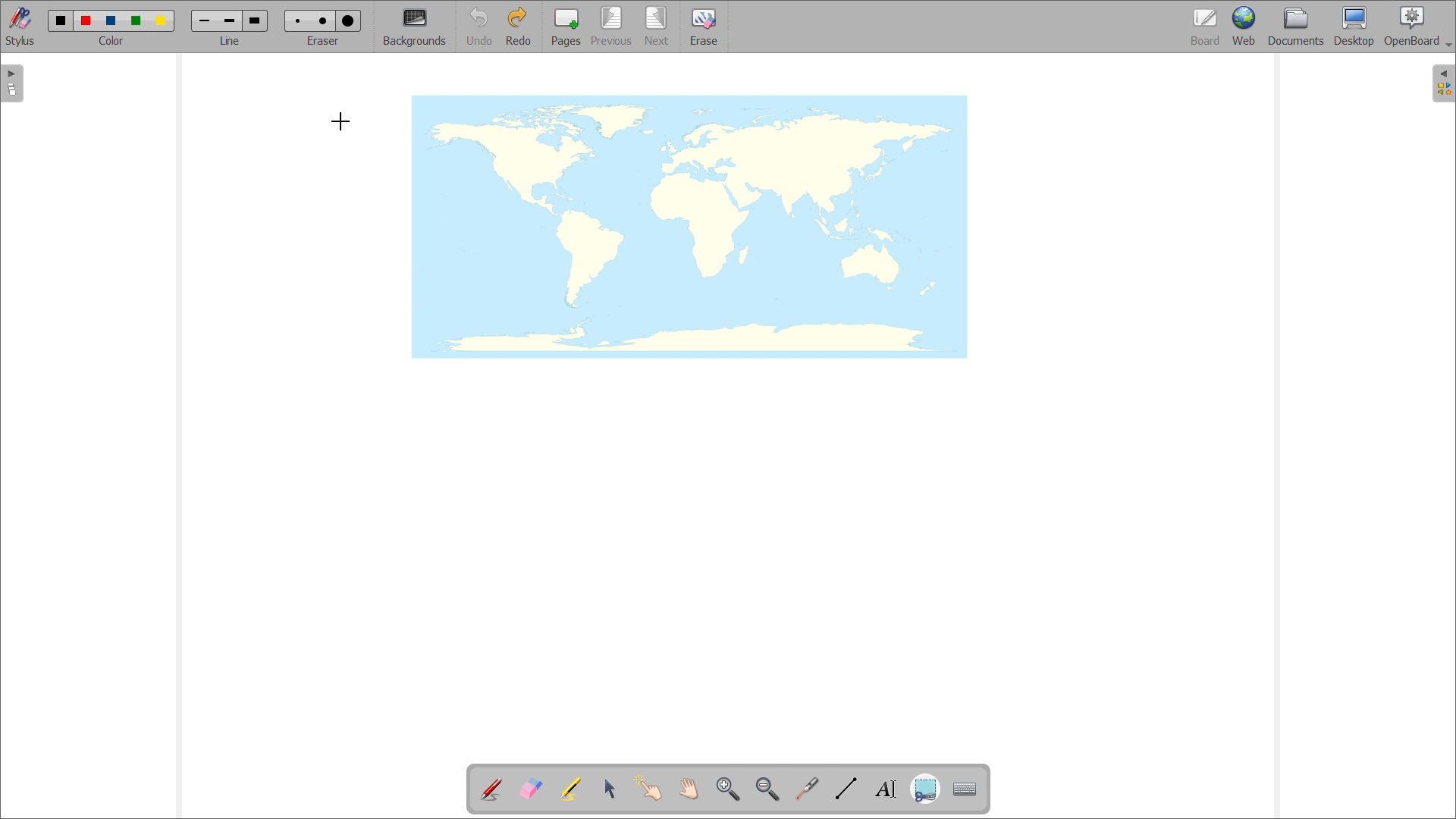 Image resolution: width=1456 pixels, height=819 pixels. What do you see at coordinates (111, 21) in the screenshot?
I see `blue` at bounding box center [111, 21].